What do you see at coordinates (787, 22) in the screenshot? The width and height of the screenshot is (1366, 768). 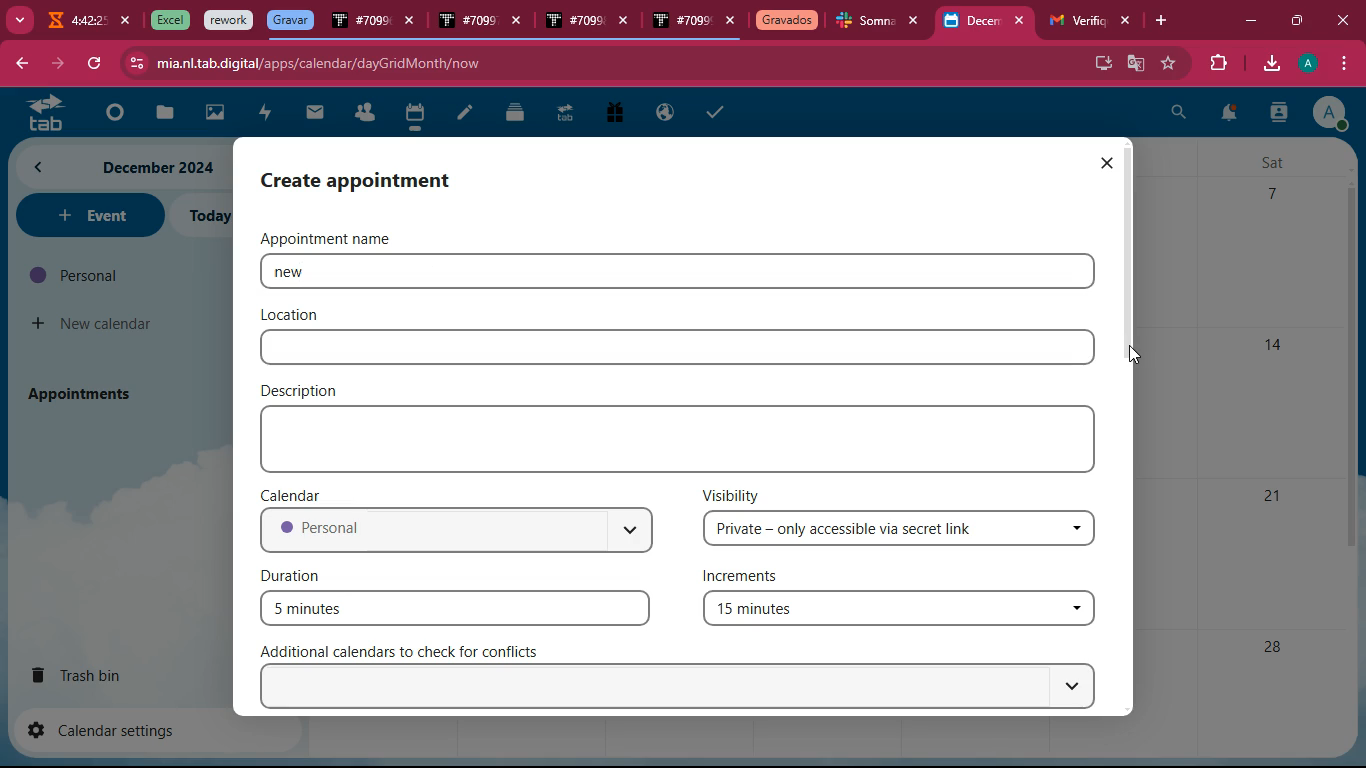 I see `tab` at bounding box center [787, 22].